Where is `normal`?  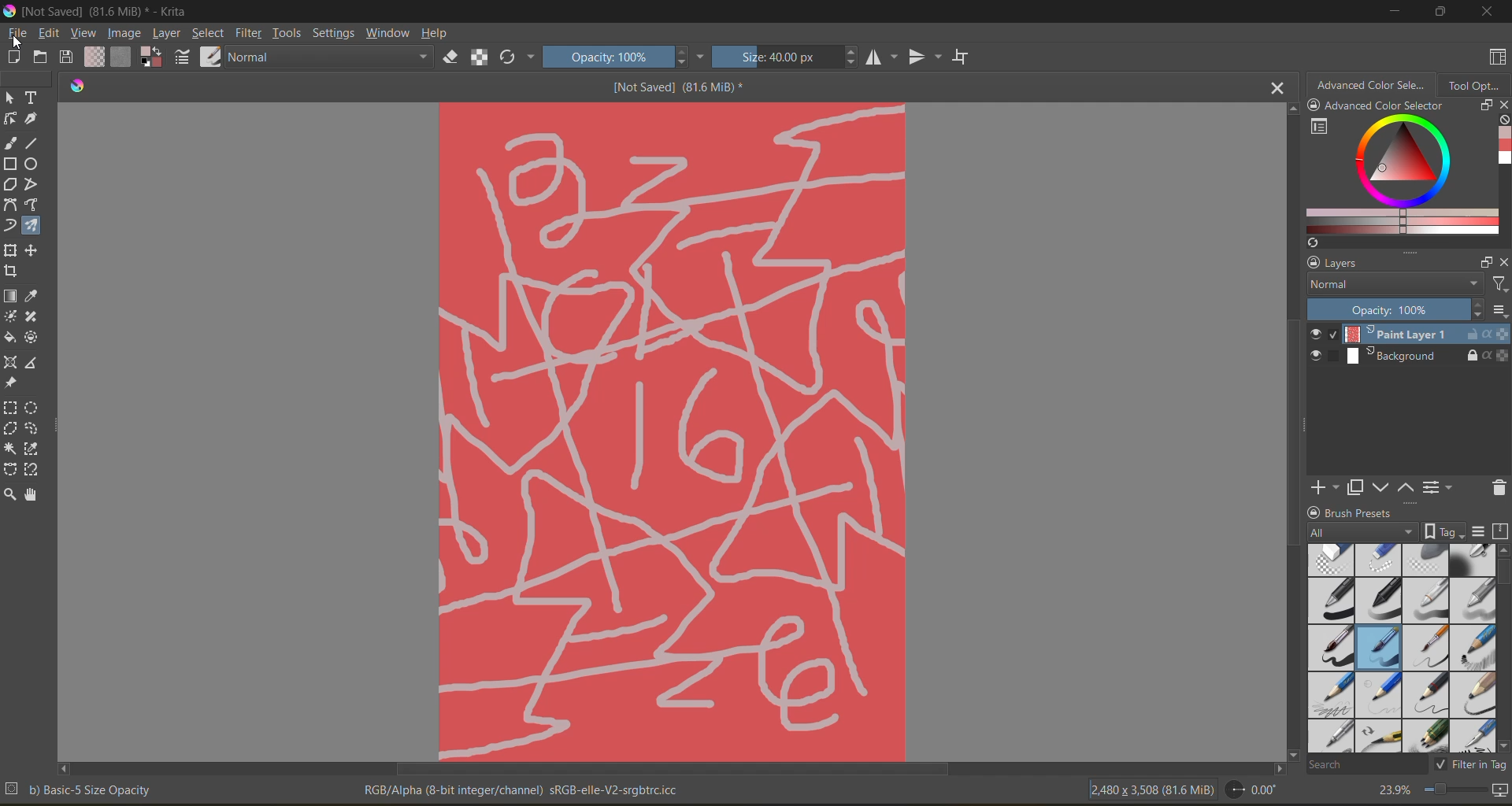
normal is located at coordinates (1392, 285).